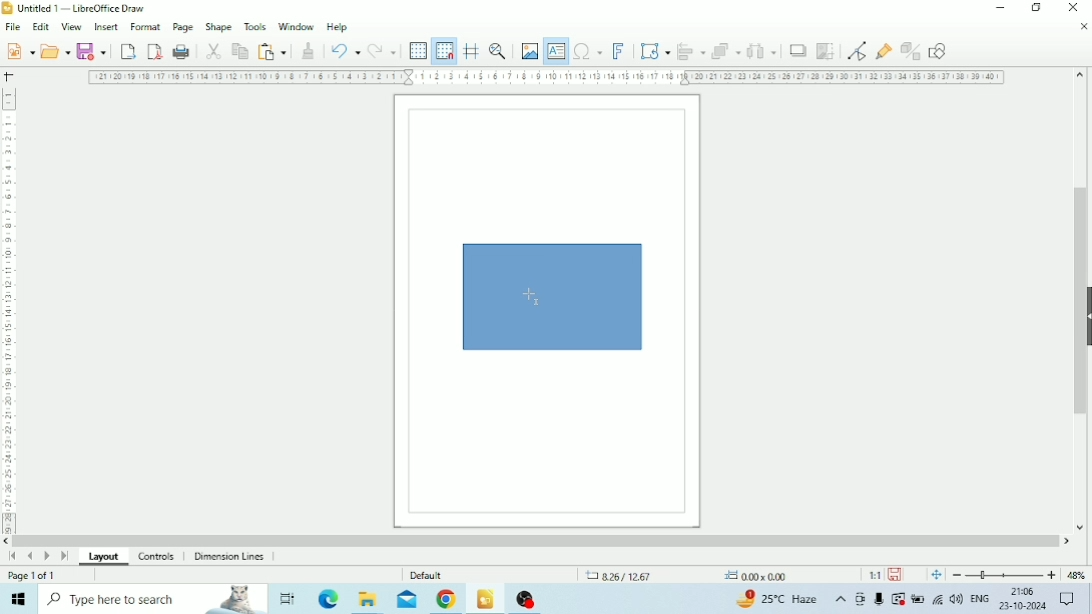  What do you see at coordinates (471, 51) in the screenshot?
I see `Helplines while moving` at bounding box center [471, 51].